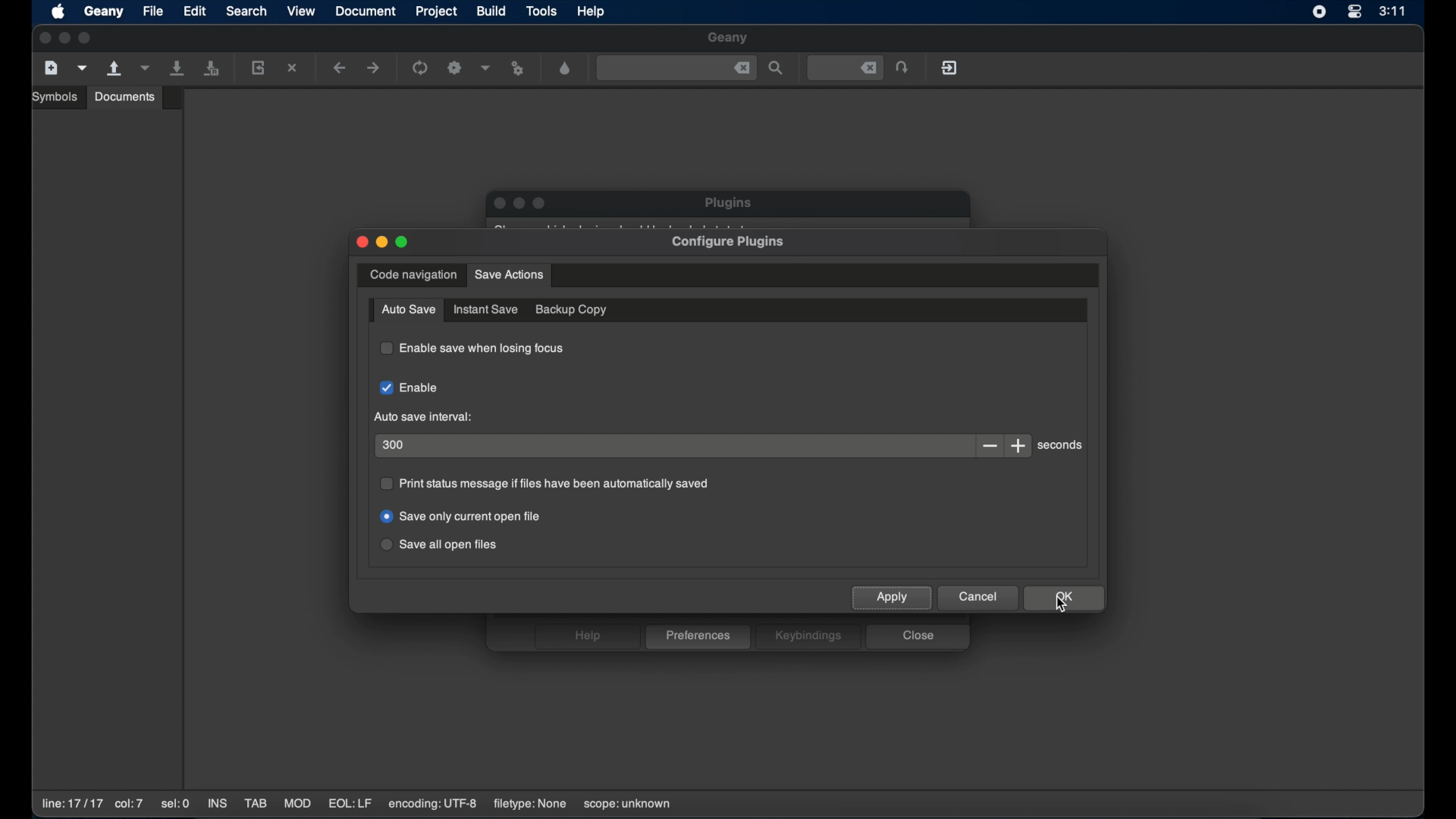 The width and height of the screenshot is (1456, 819). Describe the element at coordinates (195, 11) in the screenshot. I see `edit` at that location.